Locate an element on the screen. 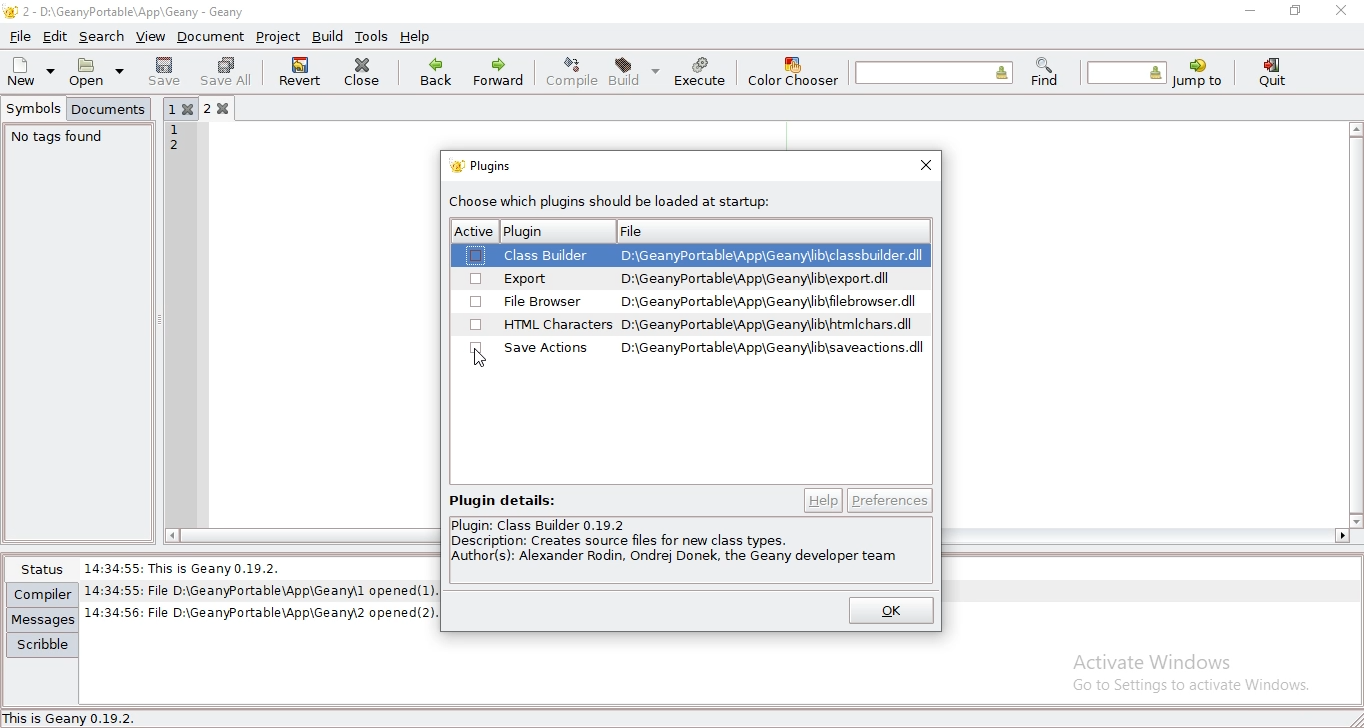 The image size is (1364, 728). close is located at coordinates (1345, 9).